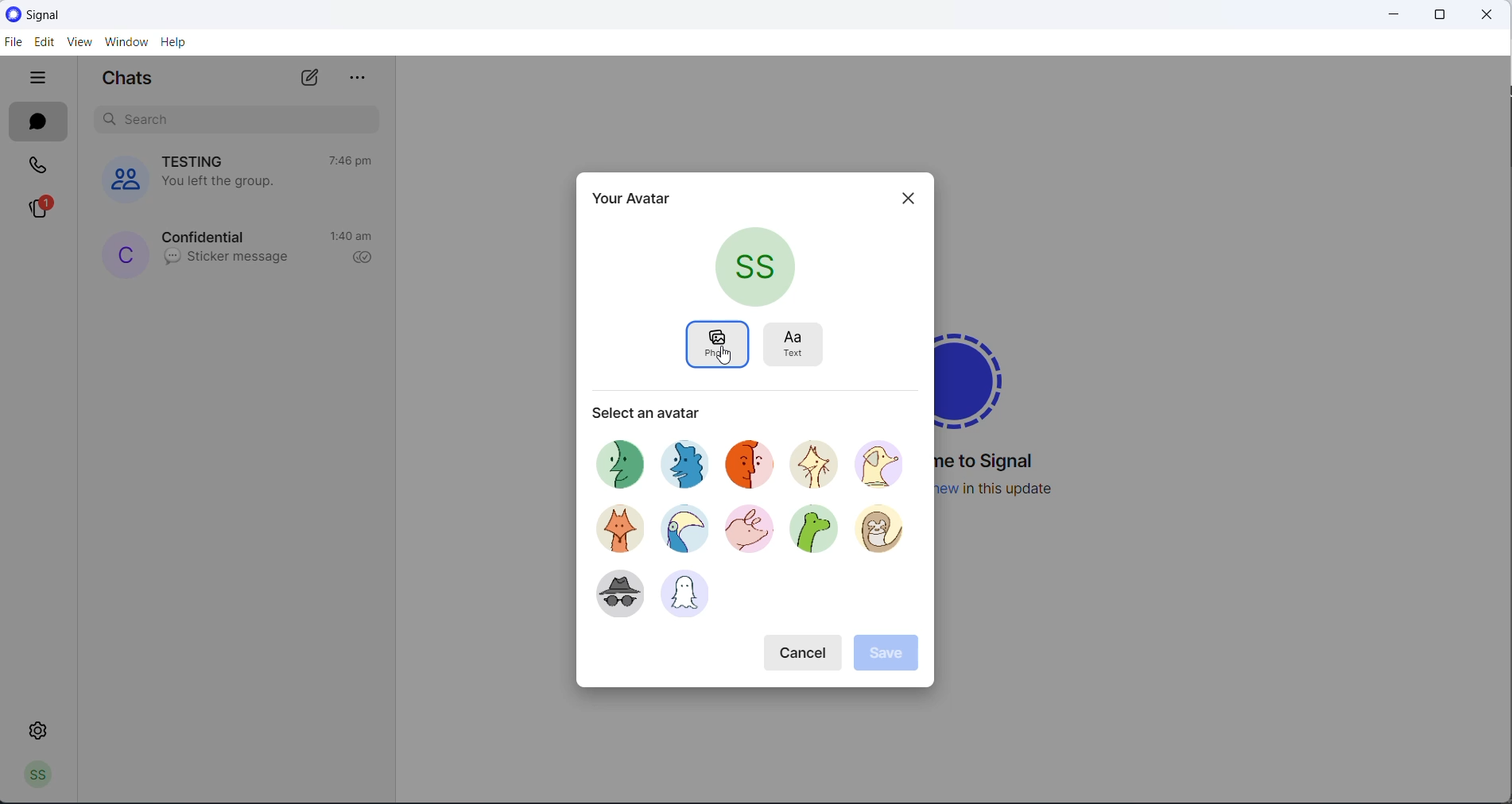 Image resolution: width=1512 pixels, height=804 pixels. I want to click on avatar, so click(682, 527).